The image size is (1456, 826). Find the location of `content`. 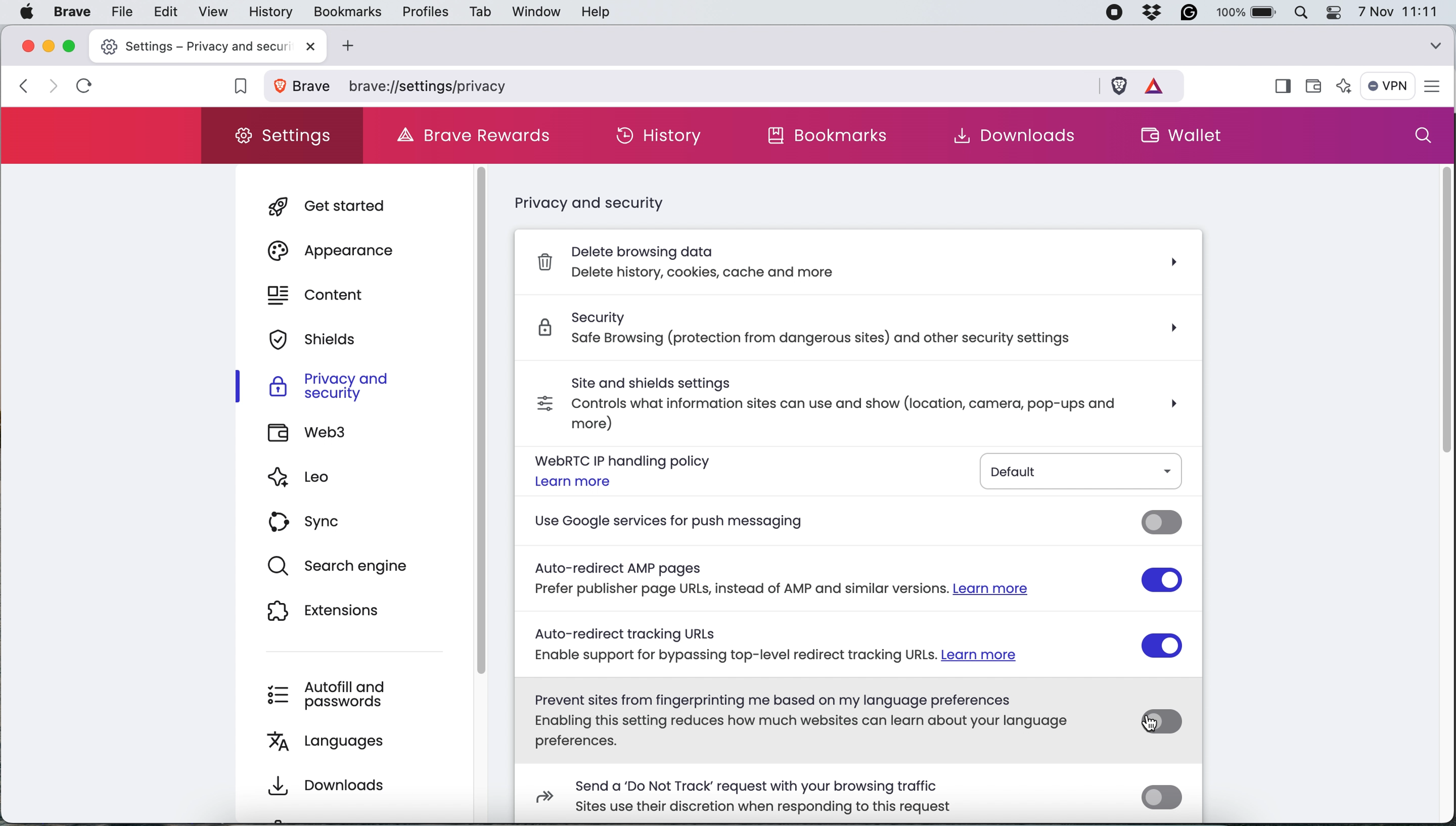

content is located at coordinates (324, 294).